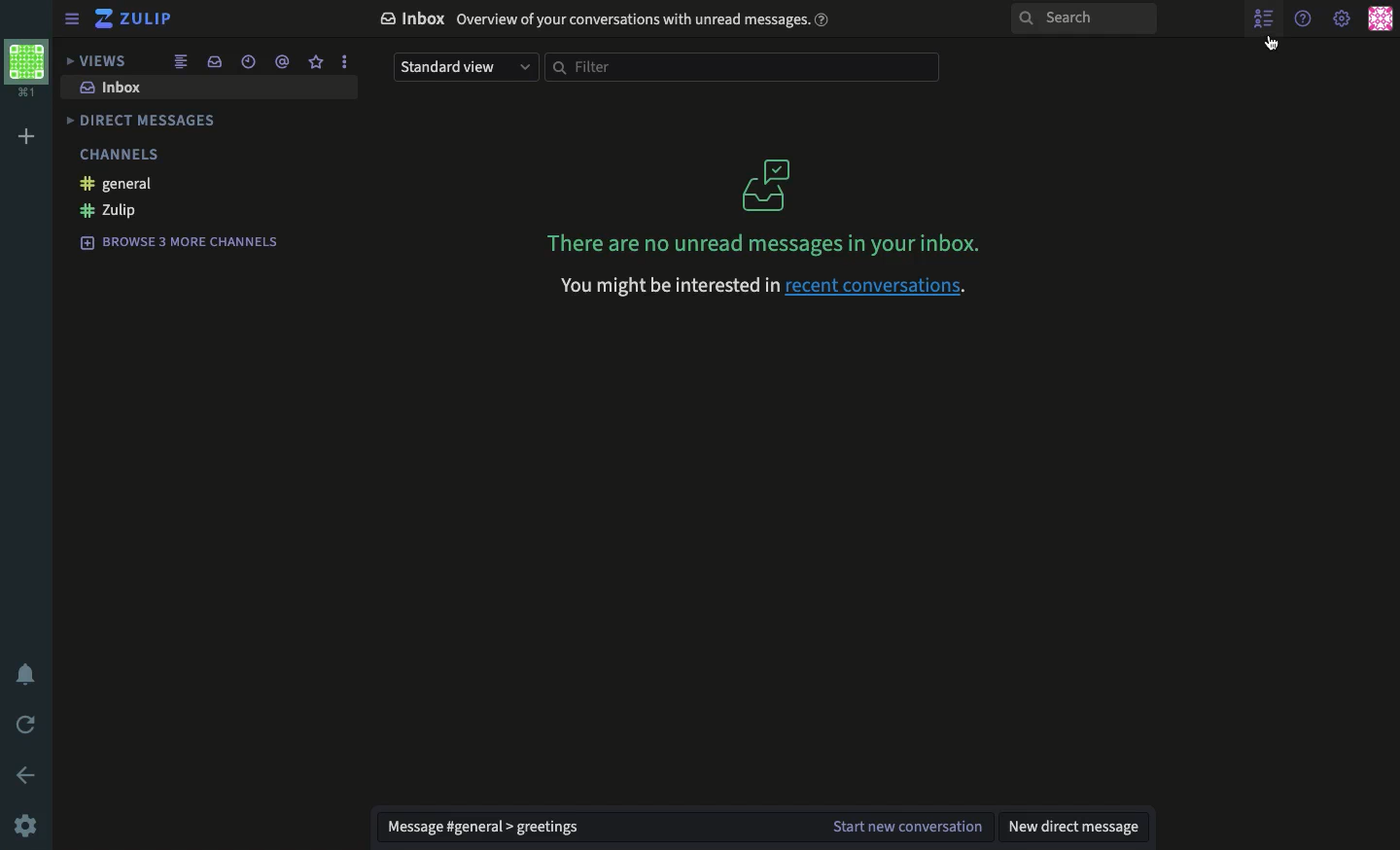 Image resolution: width=1400 pixels, height=850 pixels. Describe the element at coordinates (346, 60) in the screenshot. I see `options` at that location.